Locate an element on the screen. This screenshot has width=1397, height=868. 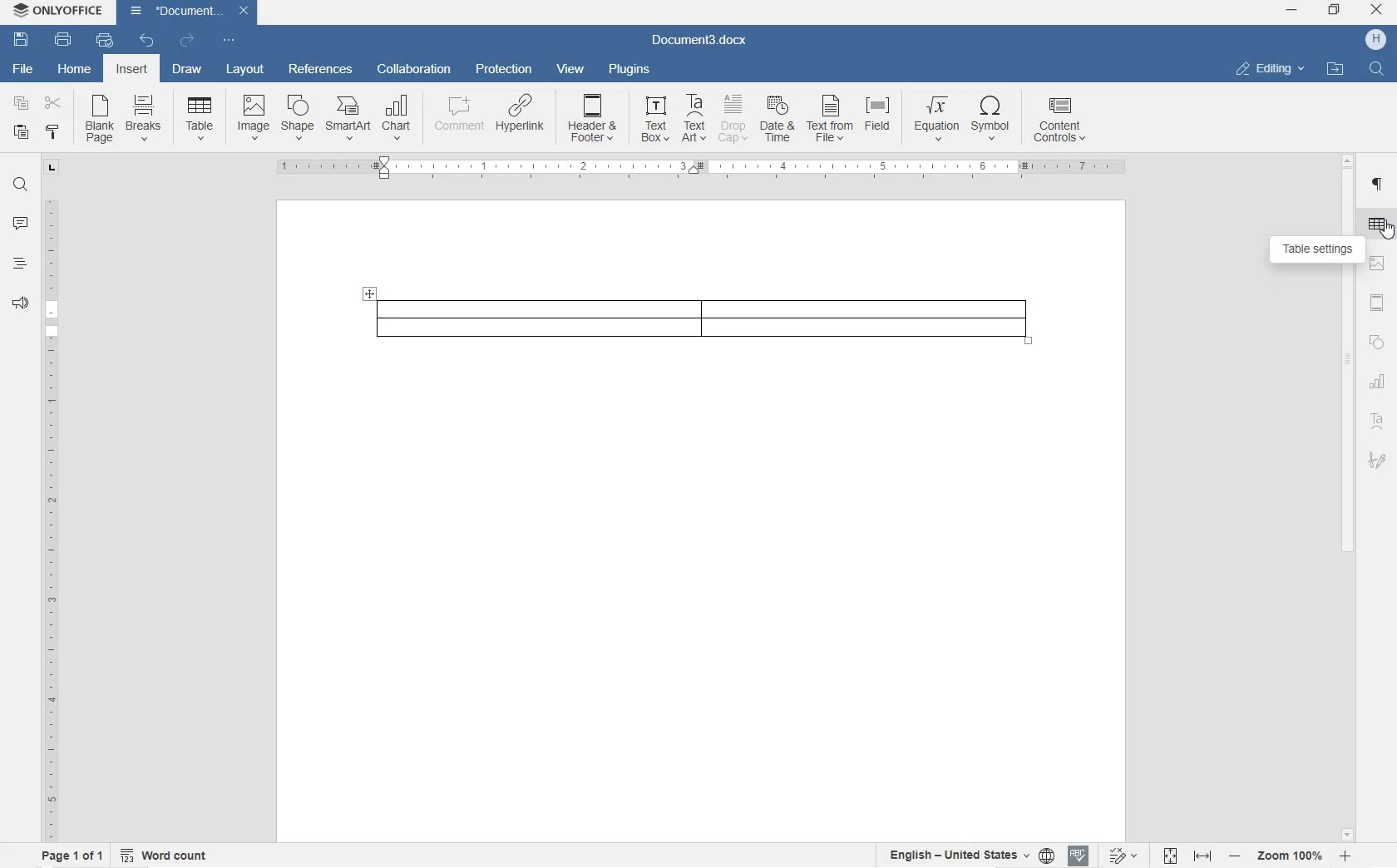
REDO is located at coordinates (186, 40).